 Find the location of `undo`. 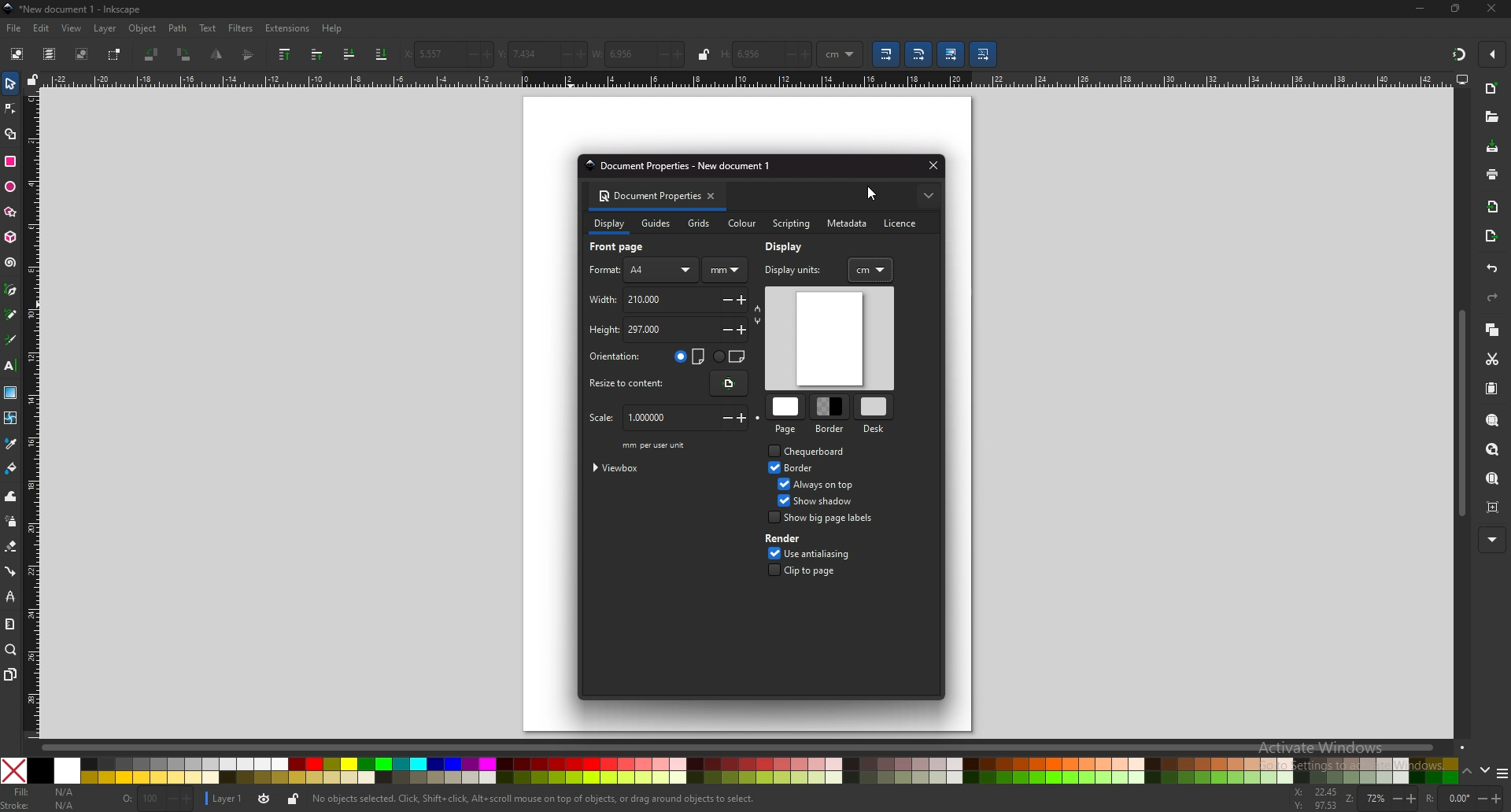

undo is located at coordinates (1493, 268).